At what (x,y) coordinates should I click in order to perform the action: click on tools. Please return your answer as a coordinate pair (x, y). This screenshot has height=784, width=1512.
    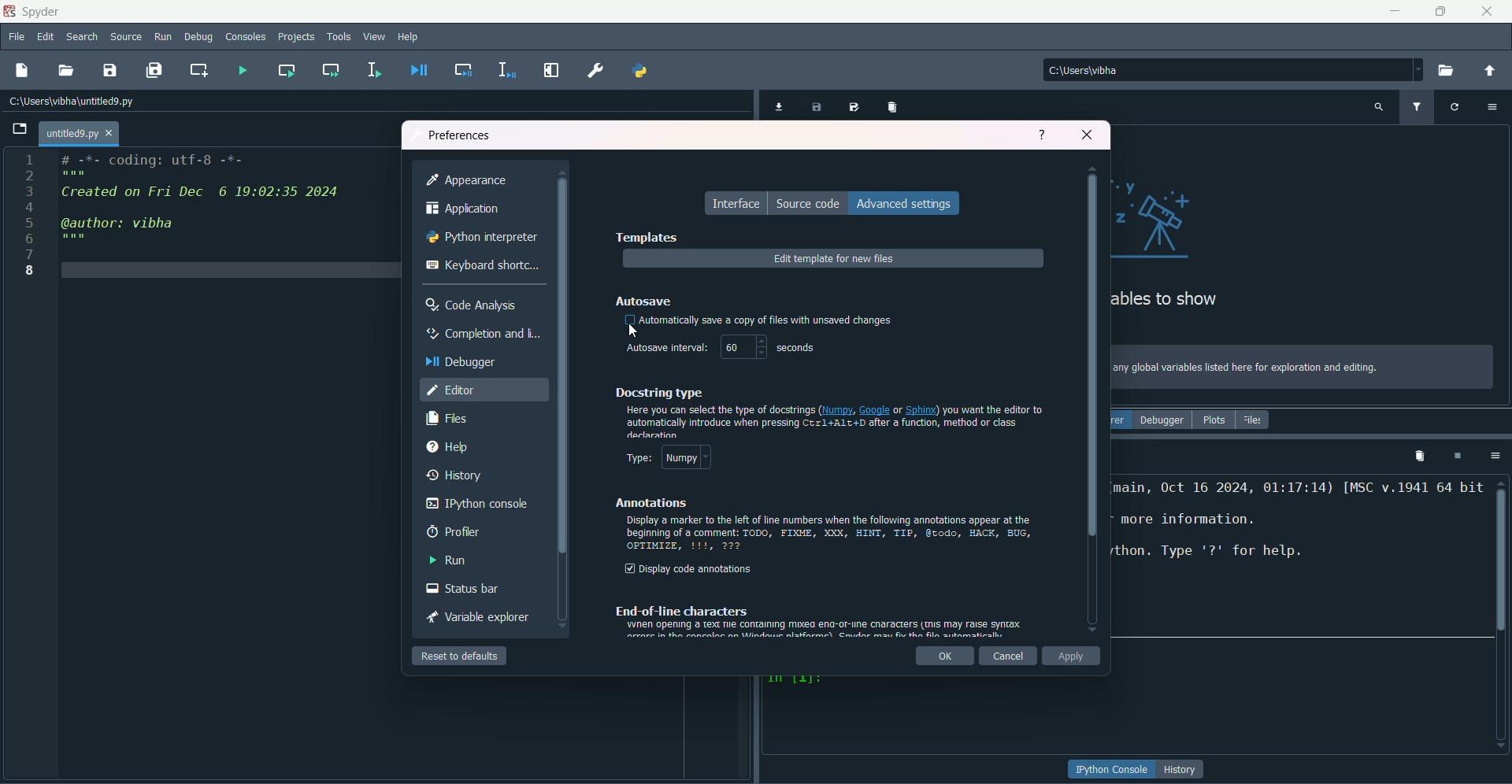
    Looking at the image, I should click on (343, 39).